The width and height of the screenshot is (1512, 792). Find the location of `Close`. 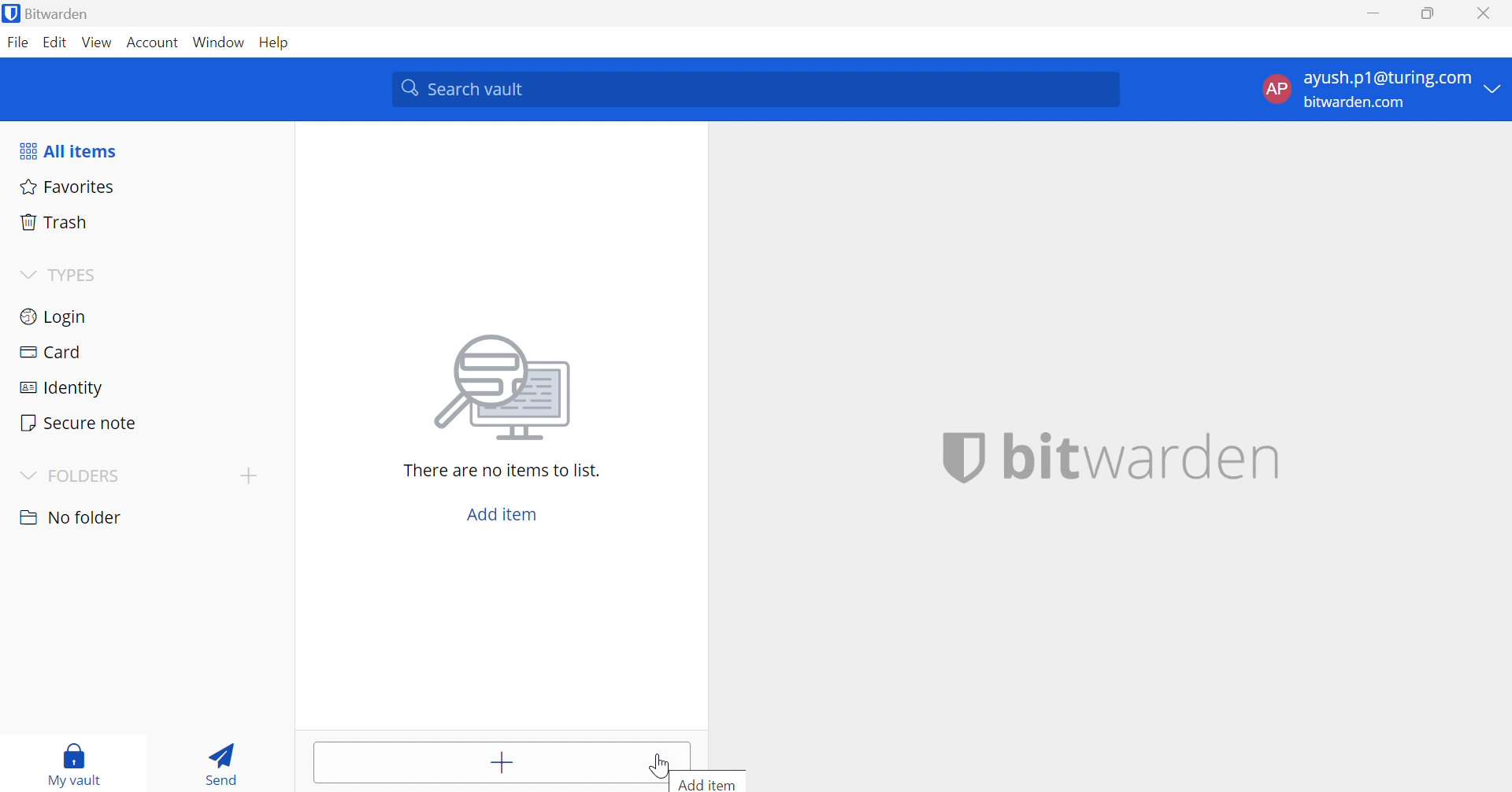

Close is located at coordinates (1483, 12).